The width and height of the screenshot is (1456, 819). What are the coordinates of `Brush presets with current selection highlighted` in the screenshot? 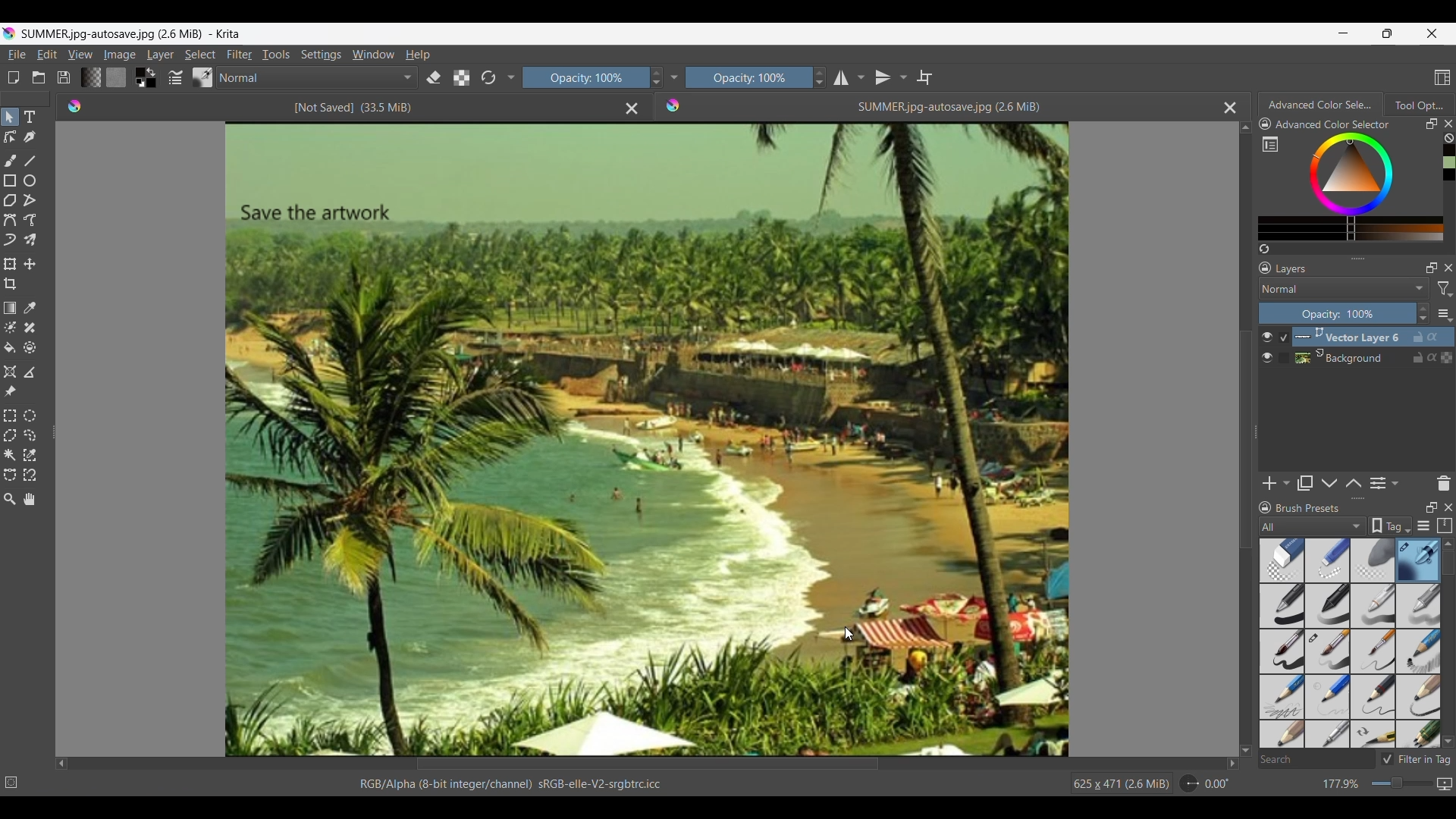 It's located at (1350, 644).